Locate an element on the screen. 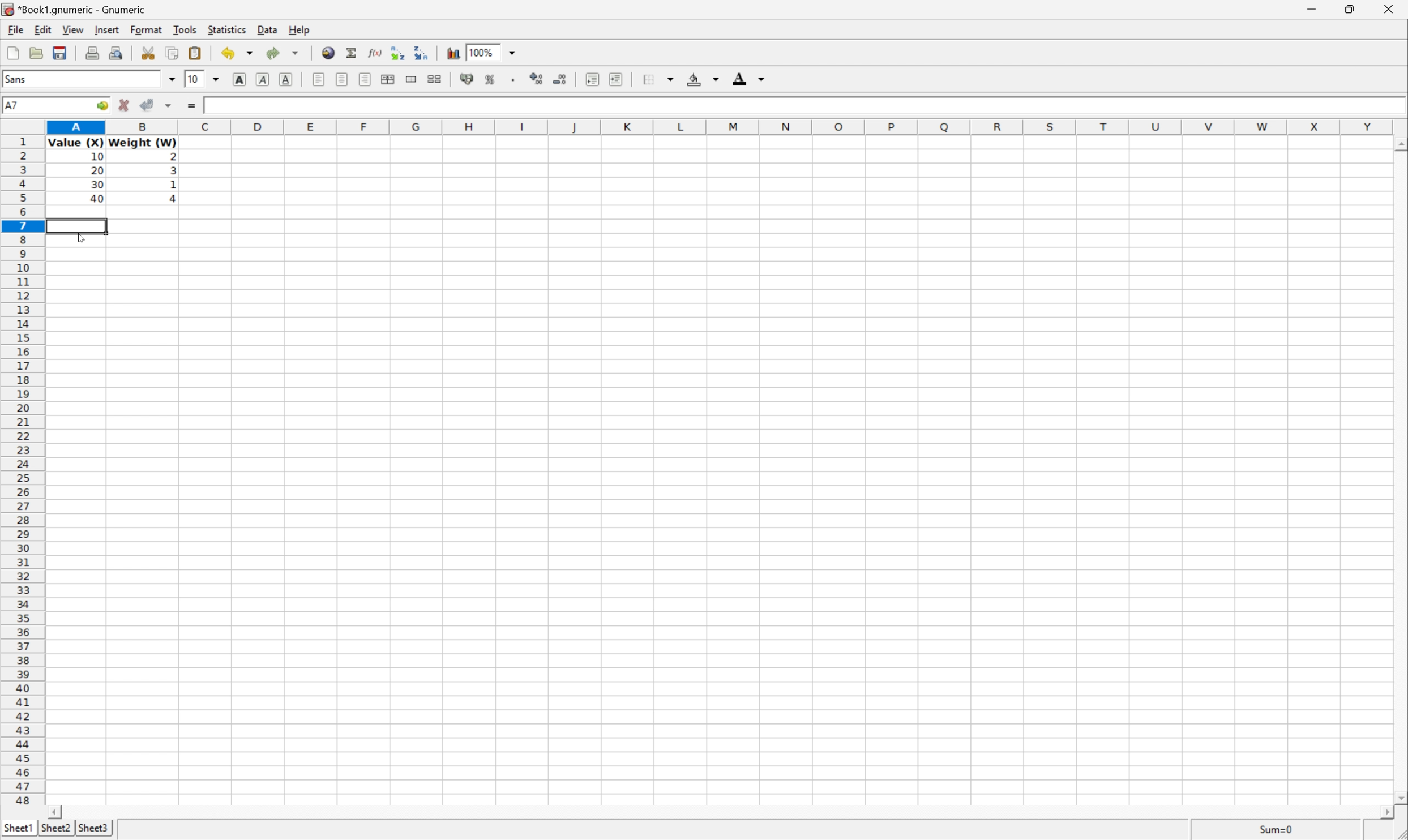  Sum = 0 is located at coordinates (1277, 828).